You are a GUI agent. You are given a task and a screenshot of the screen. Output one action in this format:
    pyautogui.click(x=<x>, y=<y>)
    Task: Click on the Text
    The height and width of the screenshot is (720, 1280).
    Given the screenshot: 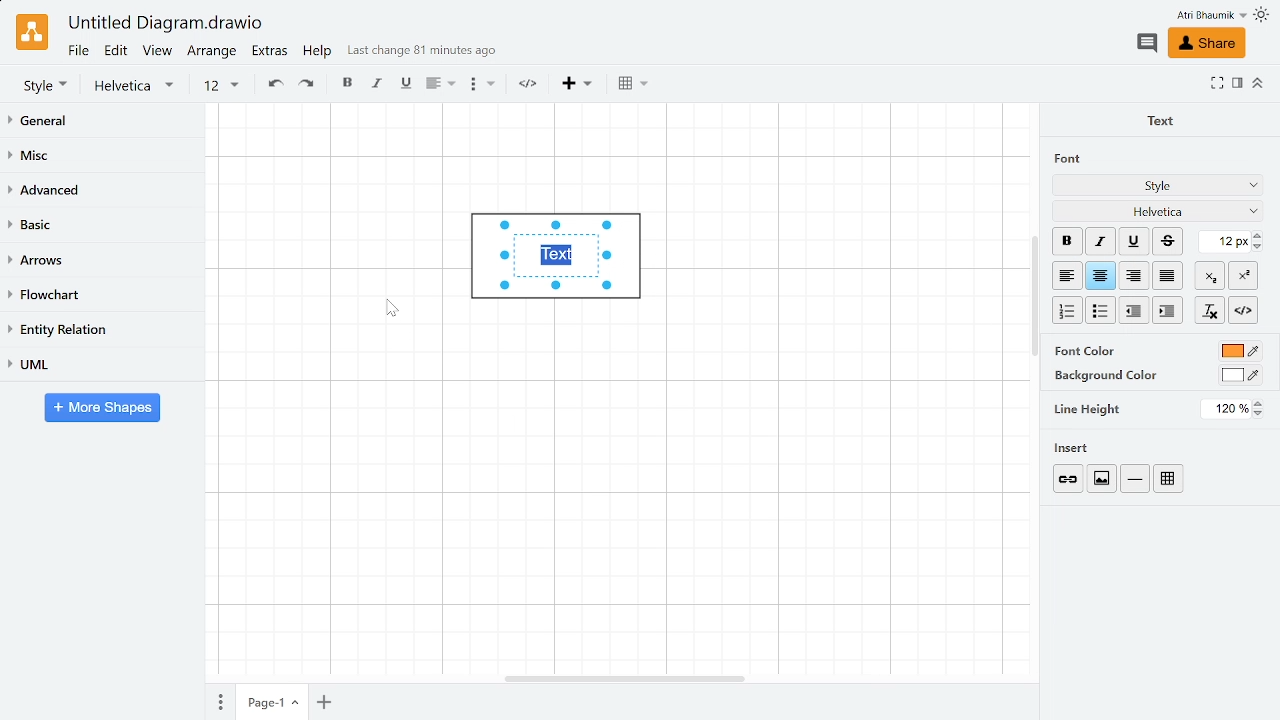 What is the action you would take?
    pyautogui.click(x=1156, y=119)
    